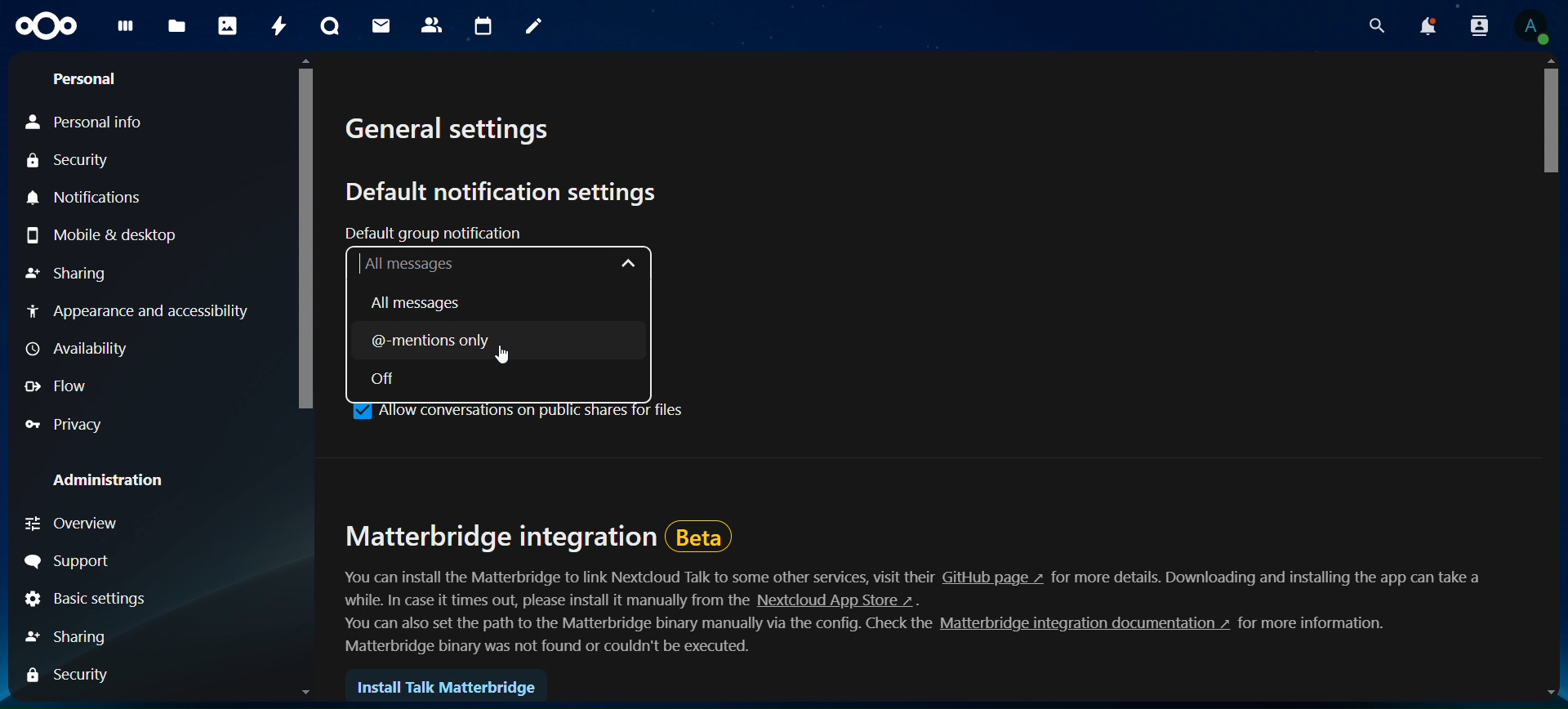 This screenshot has height=709, width=1568. What do you see at coordinates (73, 274) in the screenshot?
I see `sharing` at bounding box center [73, 274].